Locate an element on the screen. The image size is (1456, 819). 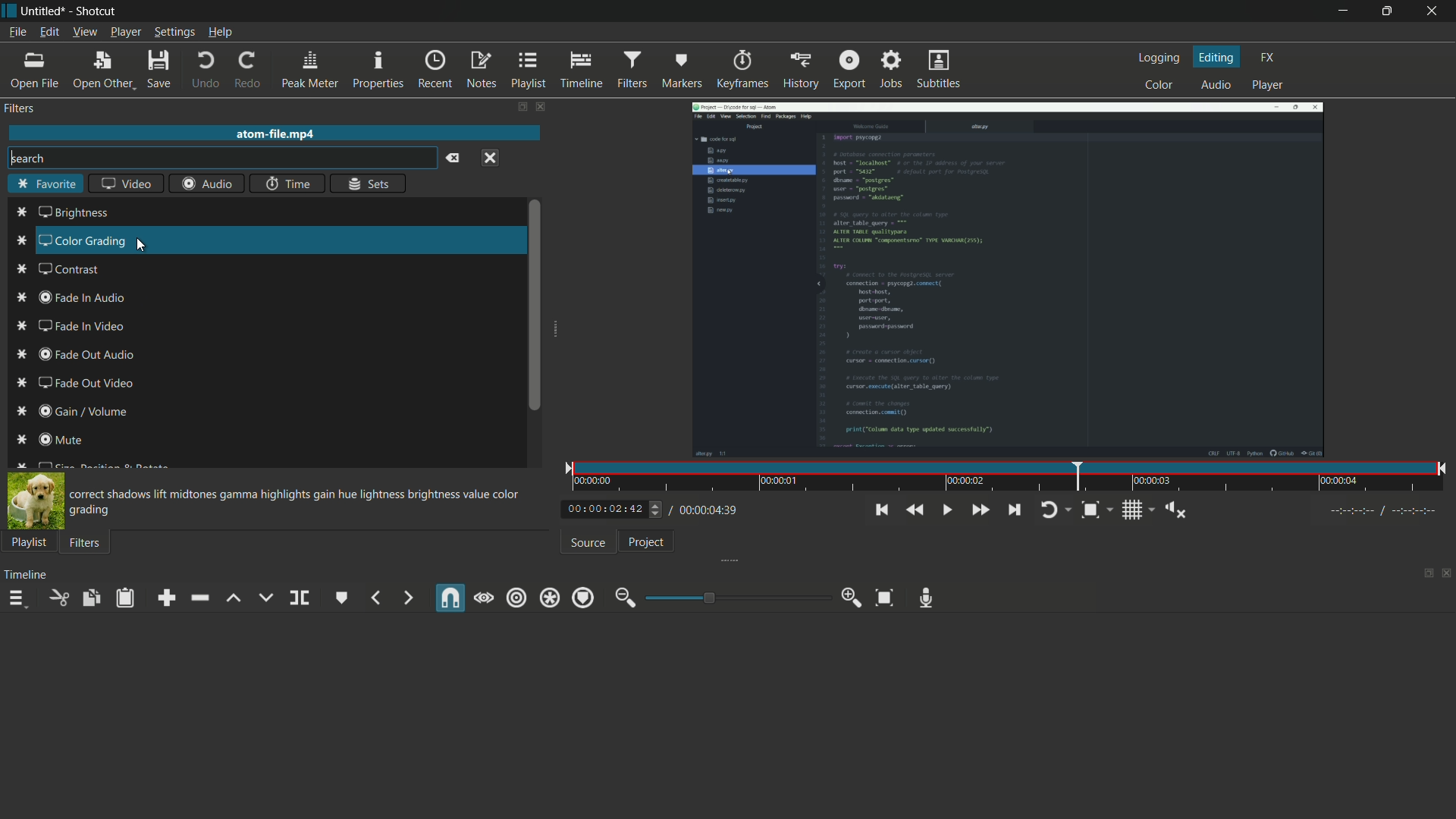
current itme is located at coordinates (607, 510).